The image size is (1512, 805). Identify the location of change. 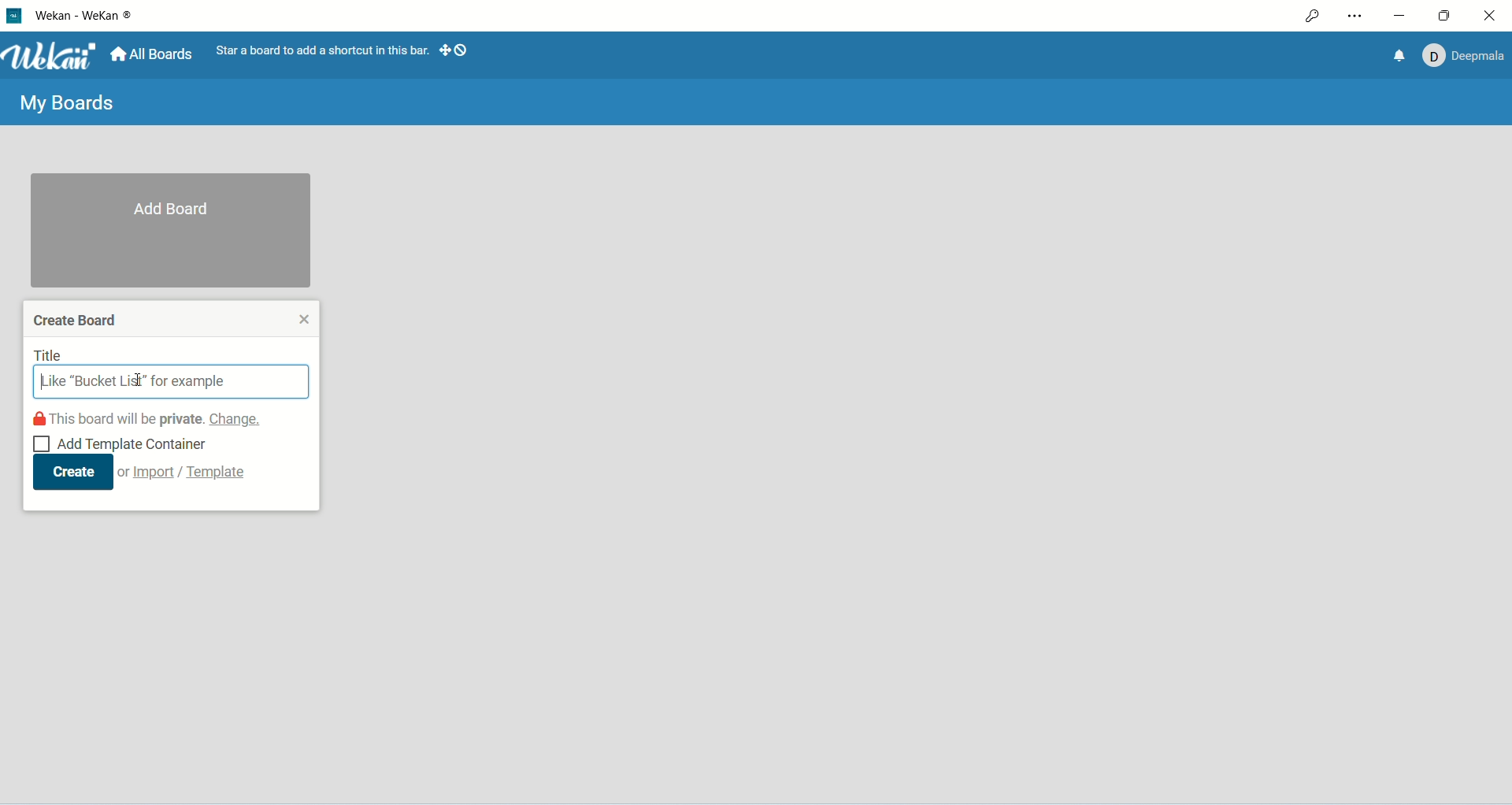
(232, 419).